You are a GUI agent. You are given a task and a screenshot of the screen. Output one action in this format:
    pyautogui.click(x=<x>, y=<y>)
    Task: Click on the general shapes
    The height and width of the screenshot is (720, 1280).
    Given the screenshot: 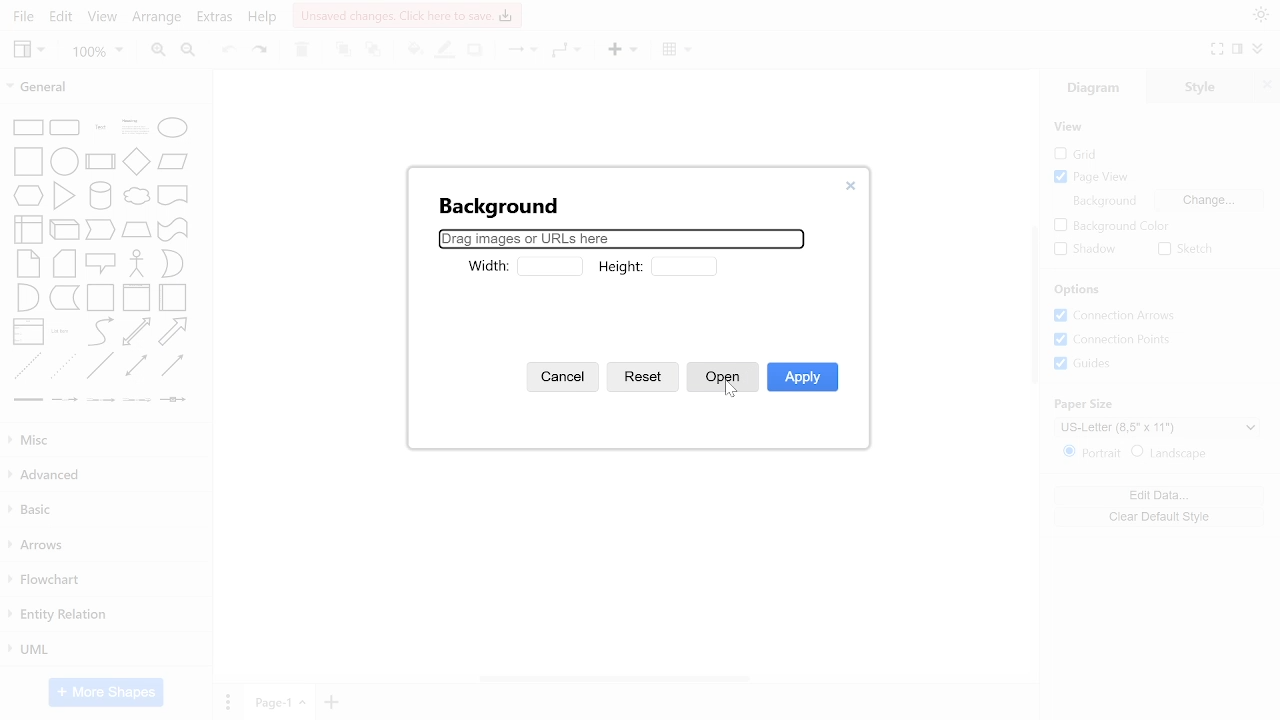 What is the action you would take?
    pyautogui.click(x=62, y=332)
    